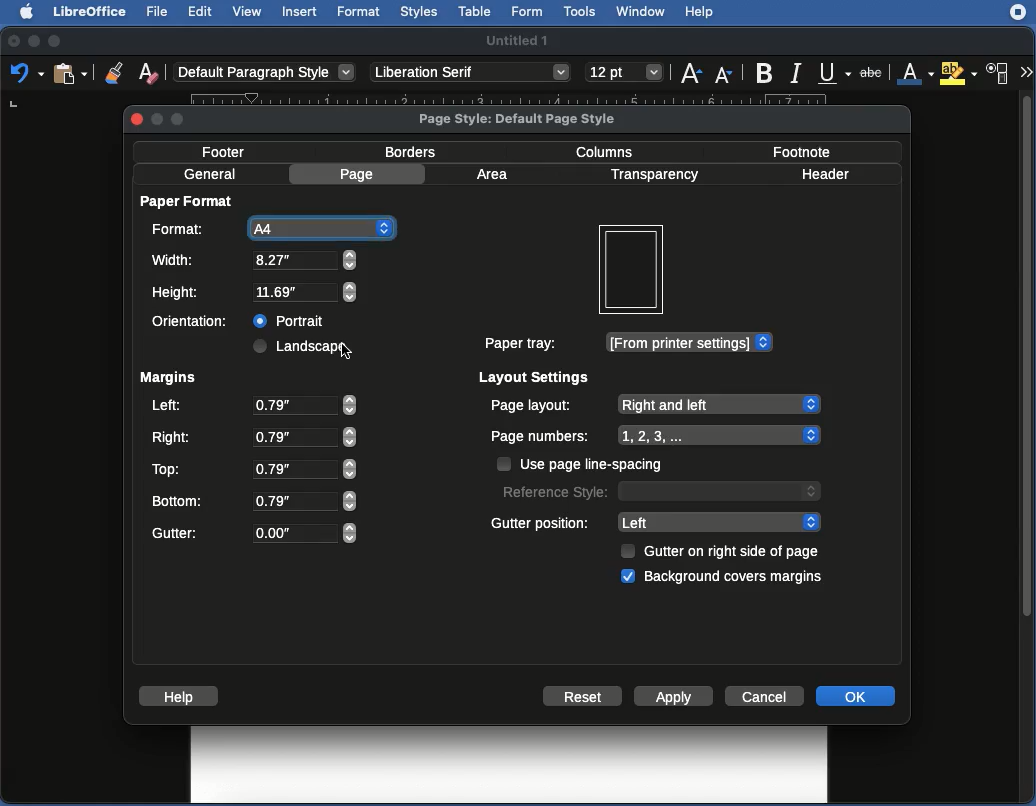  What do you see at coordinates (734, 552) in the screenshot?
I see `Gutter on right` at bounding box center [734, 552].